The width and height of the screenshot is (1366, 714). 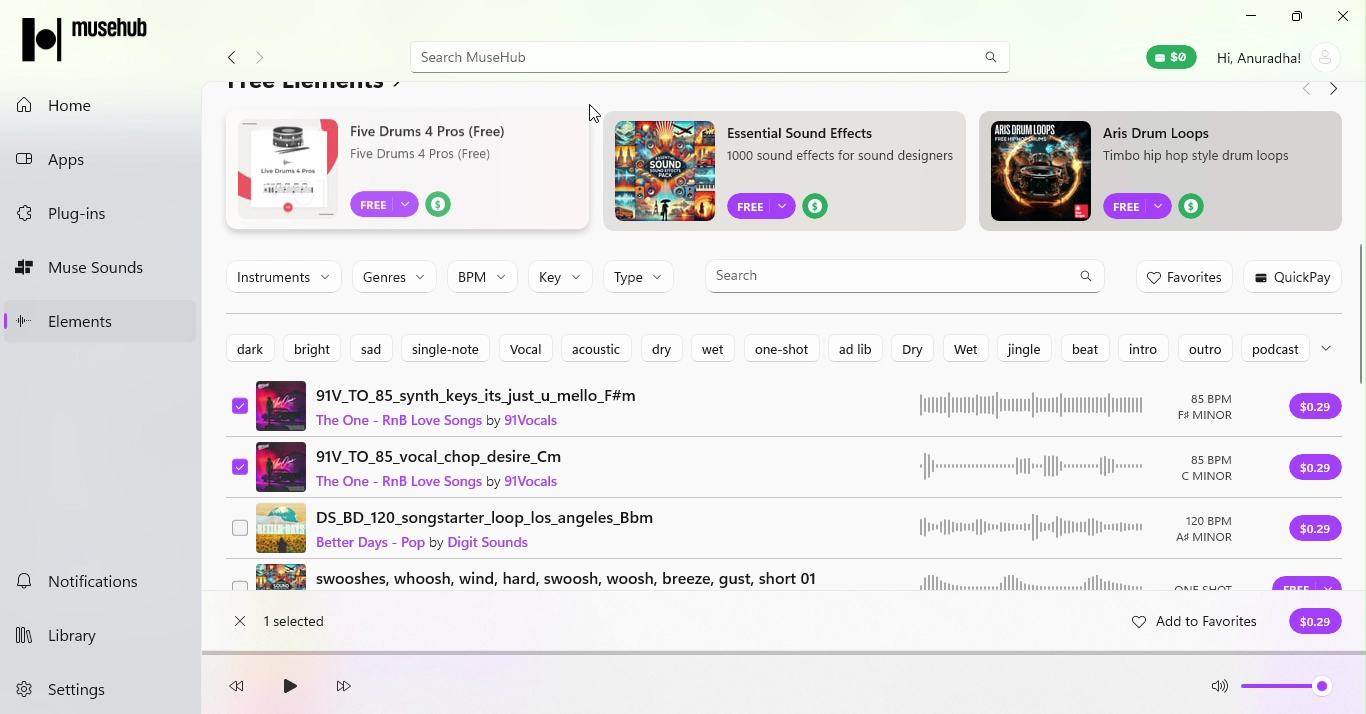 What do you see at coordinates (595, 110) in the screenshot?
I see `cursor` at bounding box center [595, 110].